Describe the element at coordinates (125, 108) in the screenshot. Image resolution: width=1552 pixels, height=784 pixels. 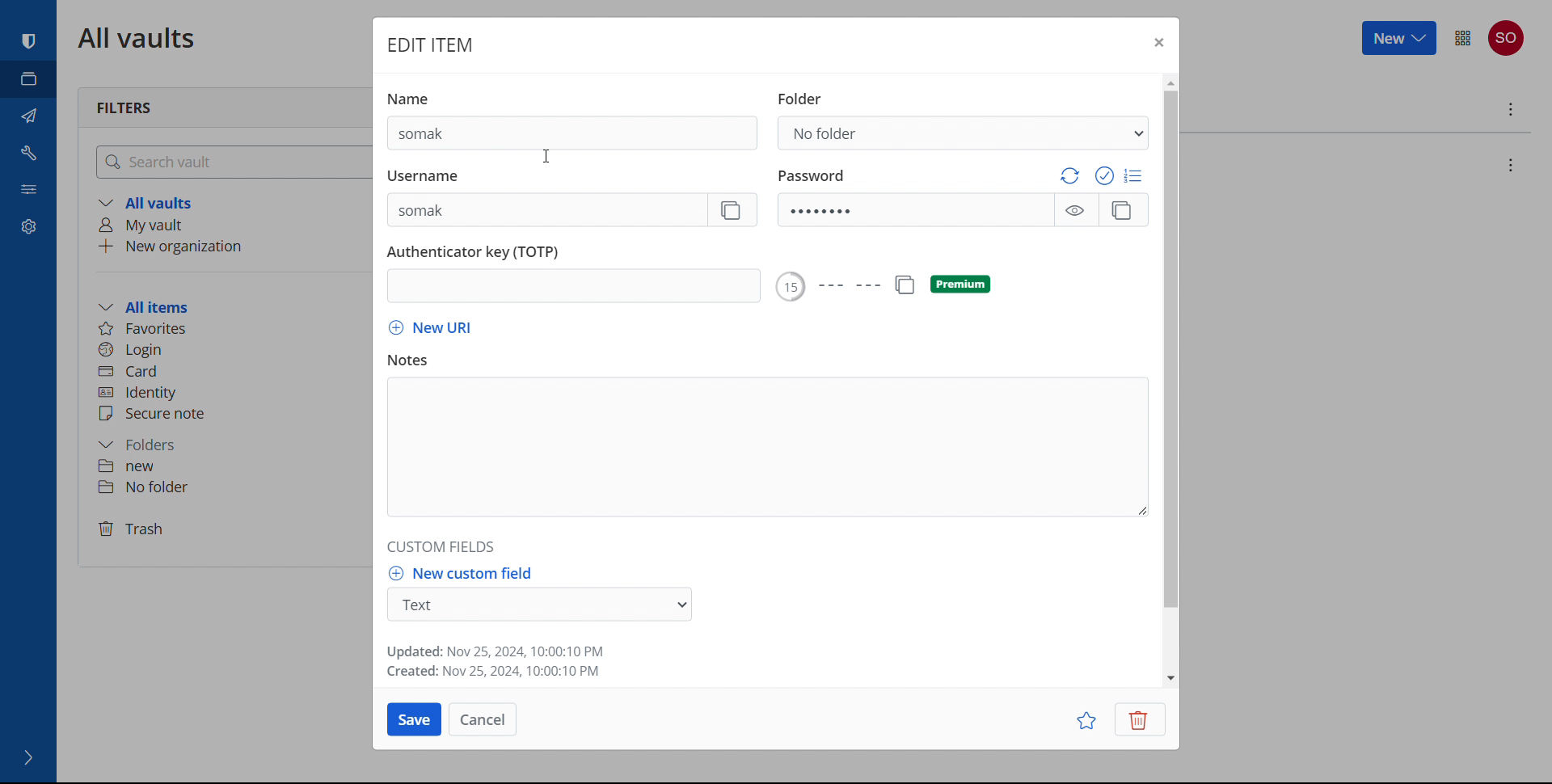
I see `filters` at that location.